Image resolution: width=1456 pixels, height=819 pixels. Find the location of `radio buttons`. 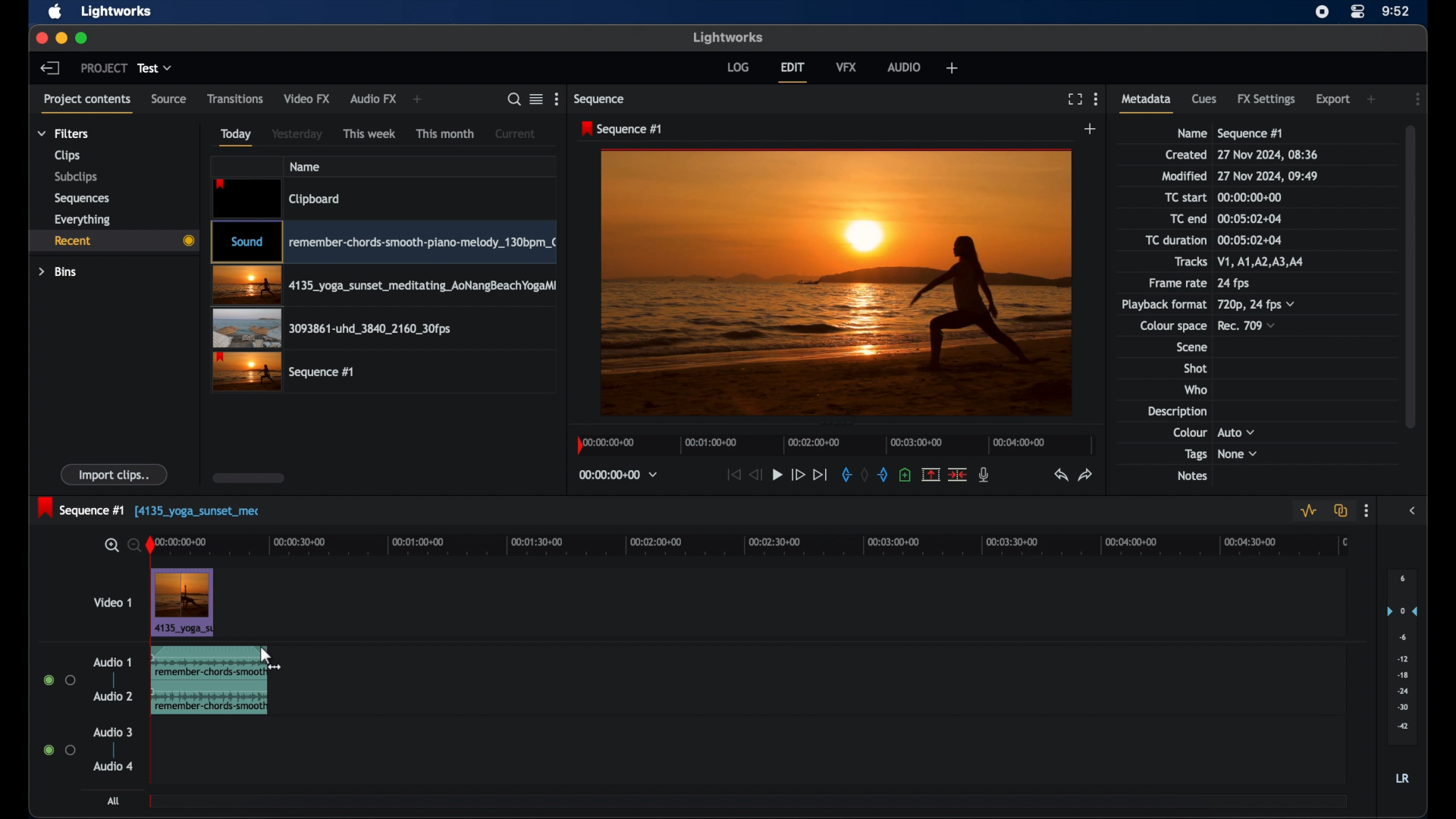

radio buttons is located at coordinates (59, 679).